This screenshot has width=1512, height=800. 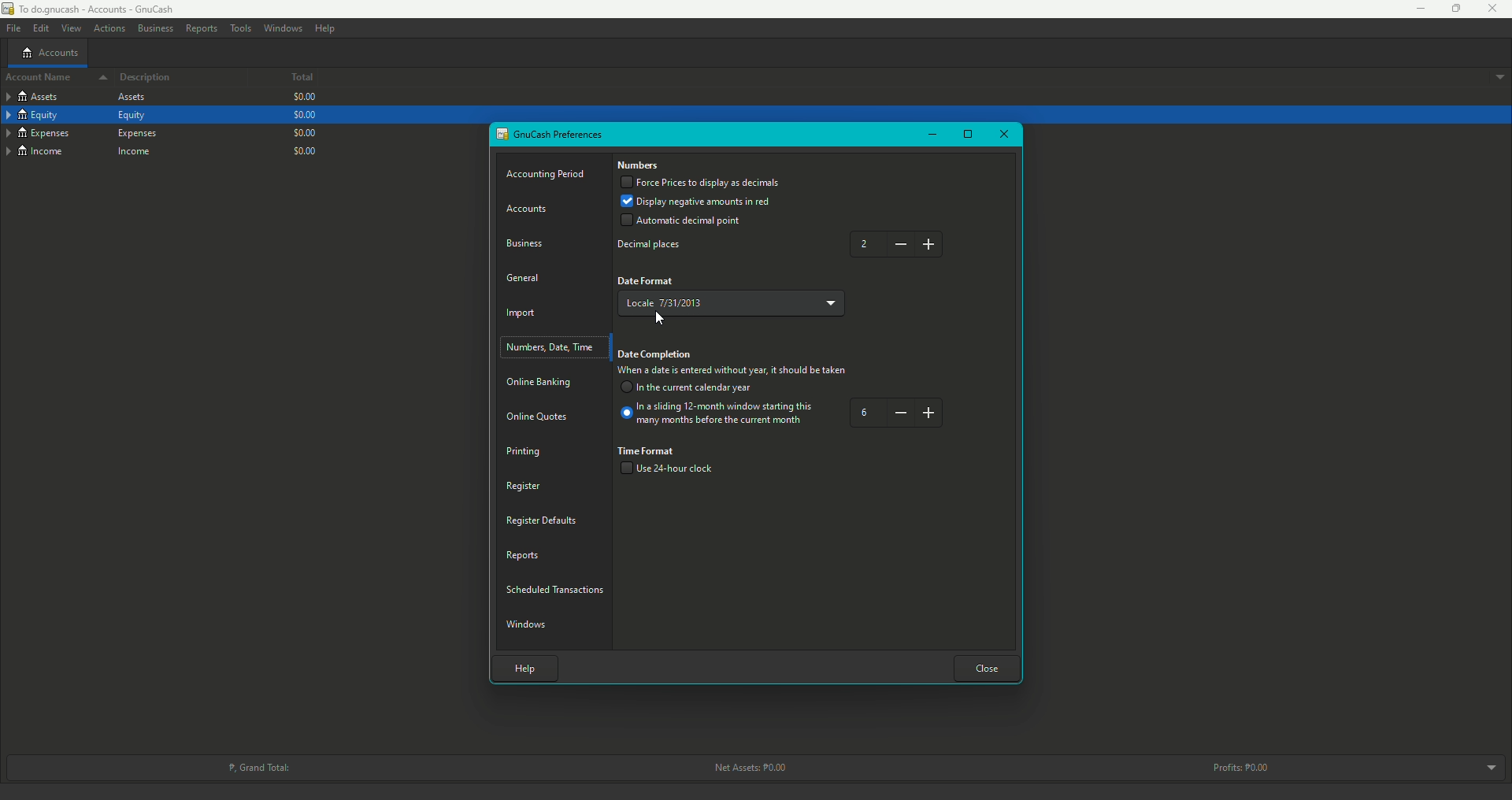 What do you see at coordinates (521, 666) in the screenshot?
I see `Help` at bounding box center [521, 666].